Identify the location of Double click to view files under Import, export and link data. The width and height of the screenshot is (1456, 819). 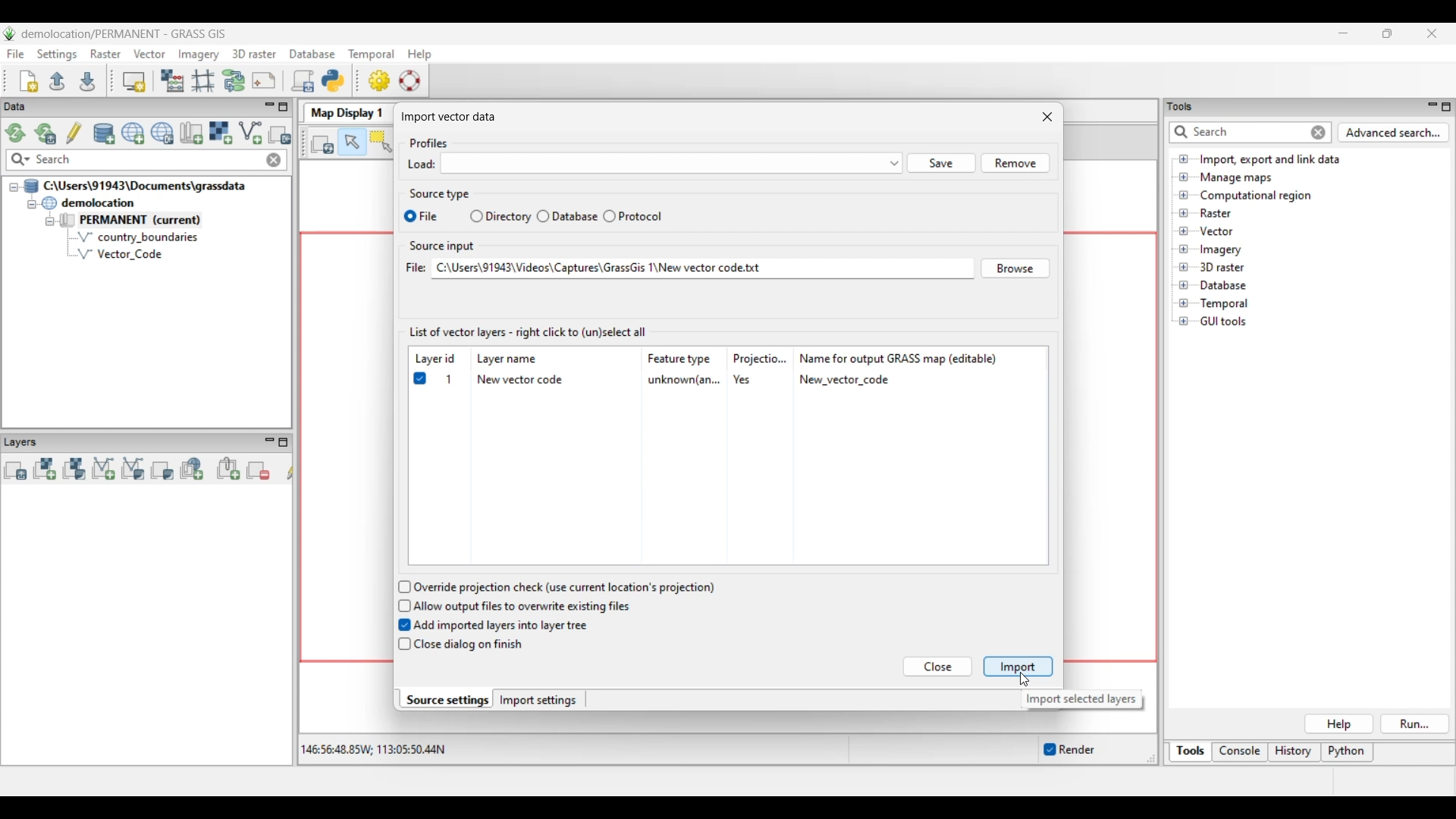
(1270, 160).